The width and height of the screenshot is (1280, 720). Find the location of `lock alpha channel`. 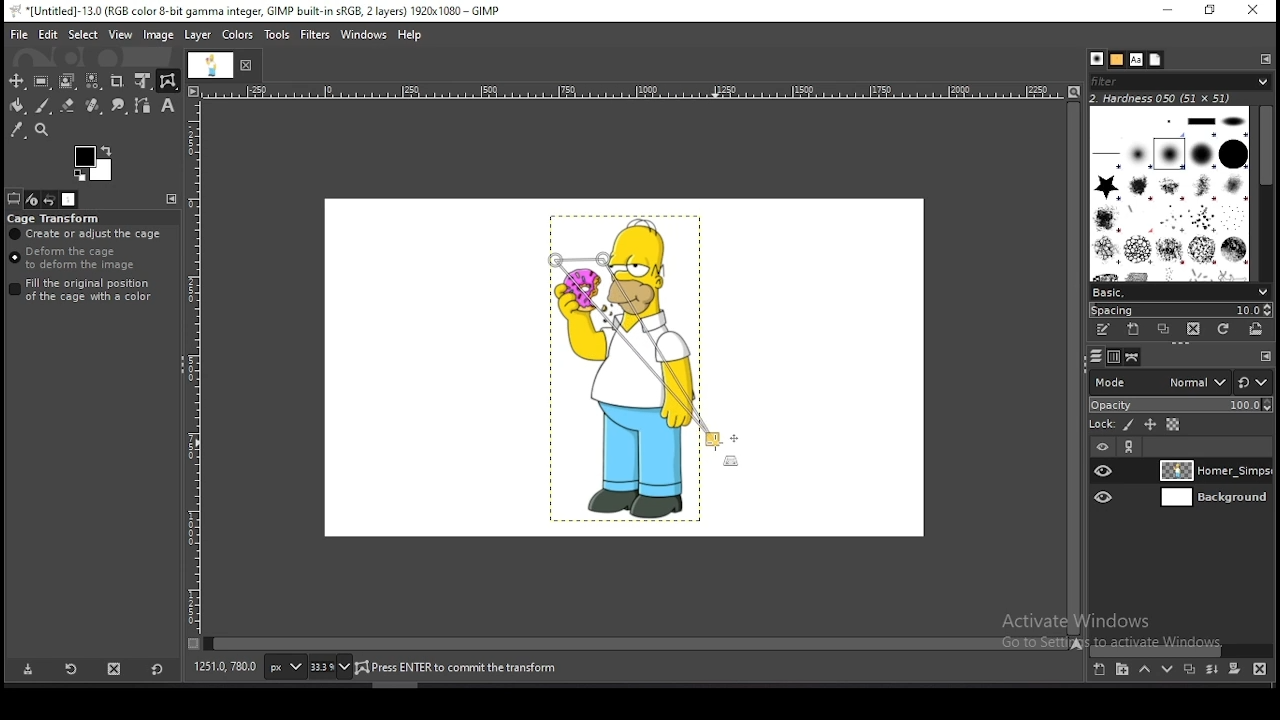

lock alpha channel is located at coordinates (1172, 426).